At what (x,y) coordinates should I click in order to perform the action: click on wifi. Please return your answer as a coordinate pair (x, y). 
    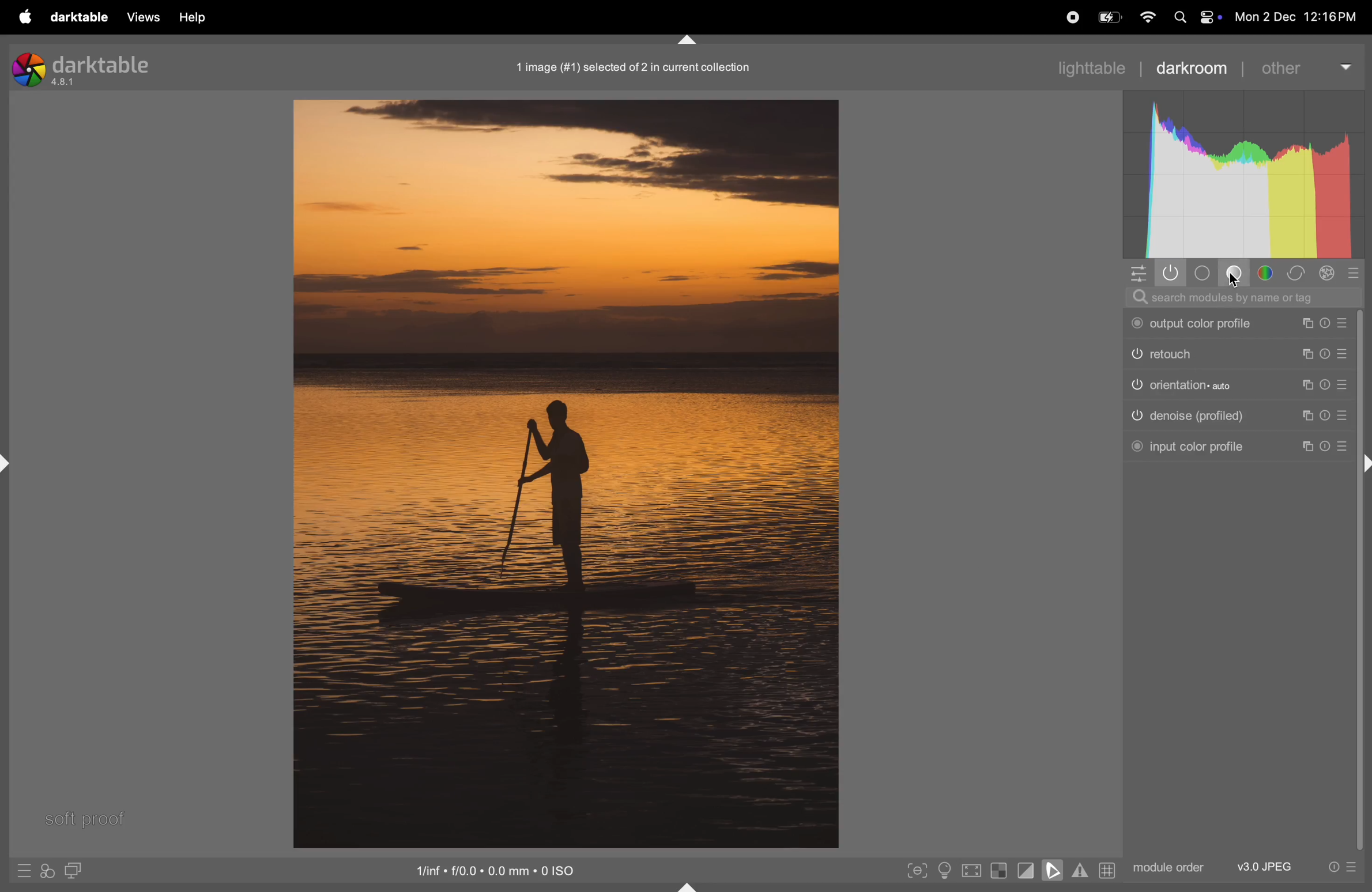
    Looking at the image, I should click on (1146, 18).